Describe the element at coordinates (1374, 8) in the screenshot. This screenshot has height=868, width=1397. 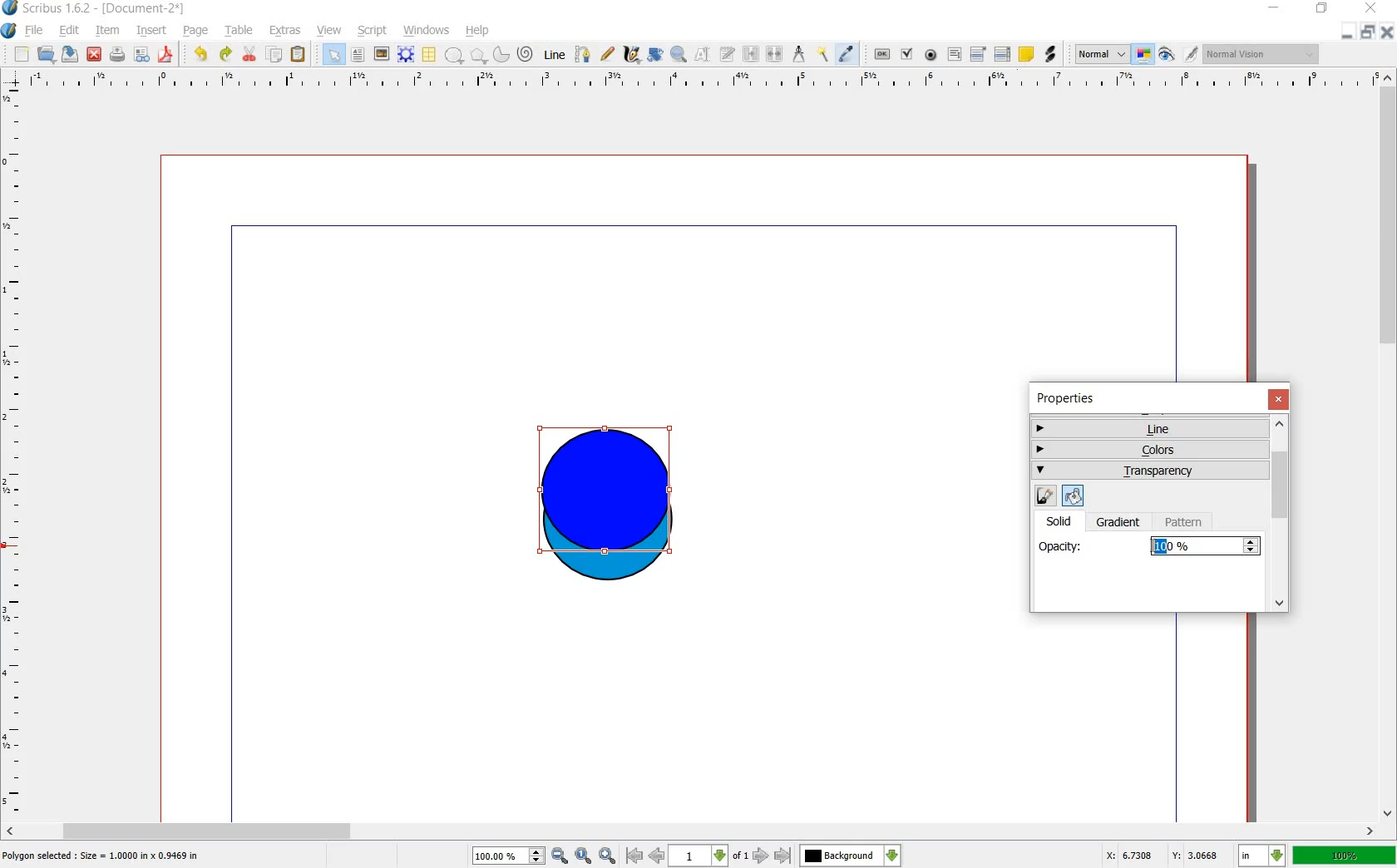
I see `close` at that location.